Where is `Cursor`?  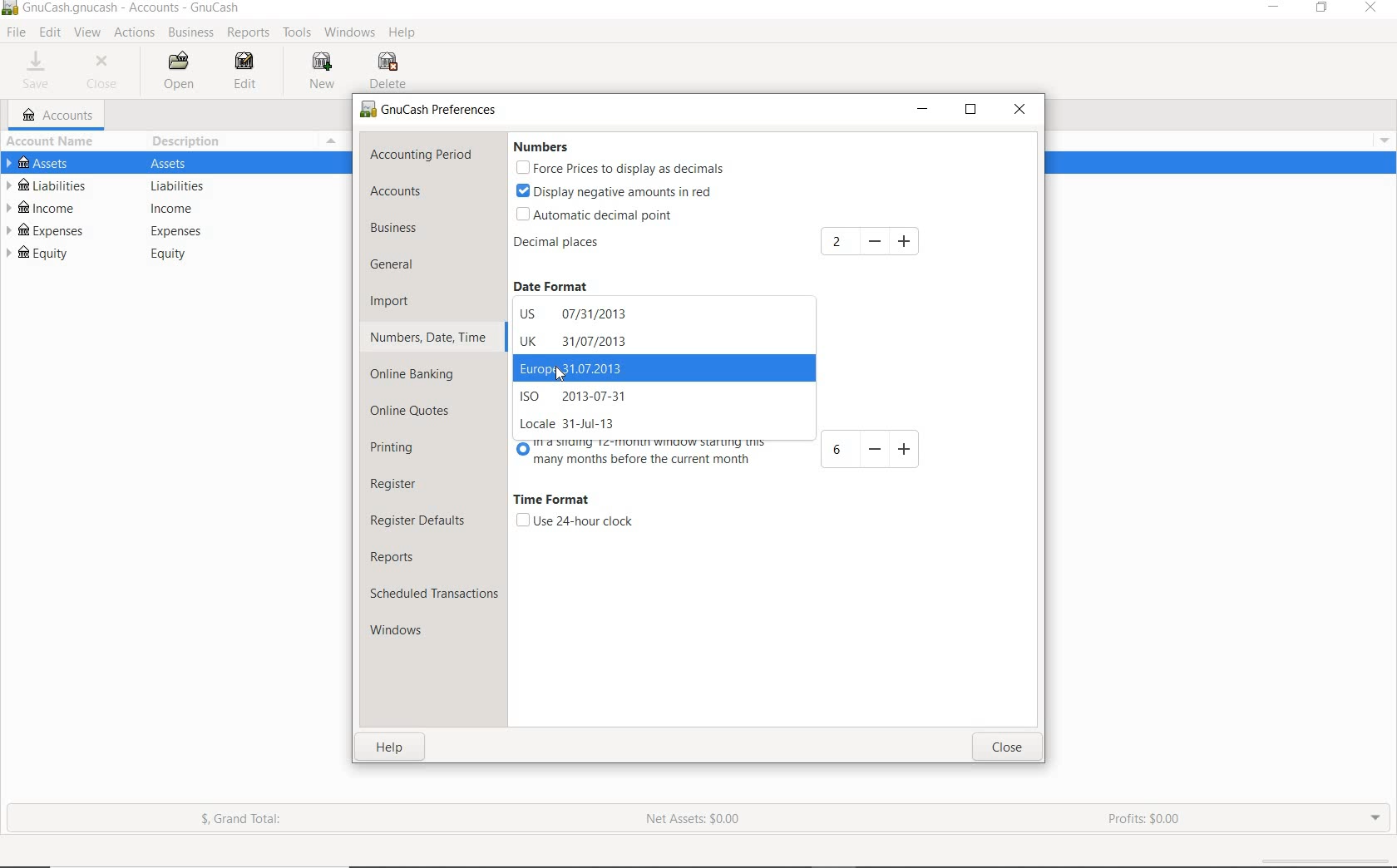
Cursor is located at coordinates (557, 377).